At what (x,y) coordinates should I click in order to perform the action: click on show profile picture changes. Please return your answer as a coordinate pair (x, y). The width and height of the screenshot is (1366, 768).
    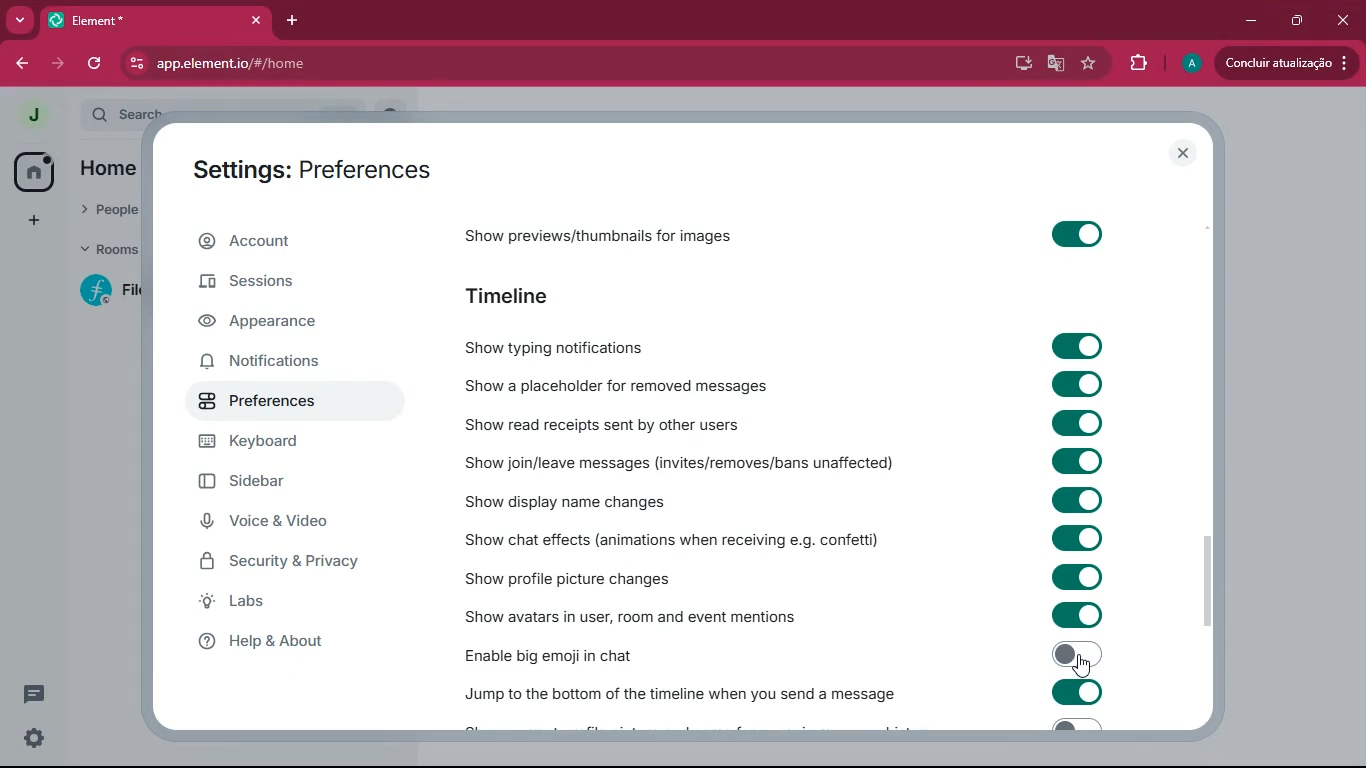
    Looking at the image, I should click on (581, 576).